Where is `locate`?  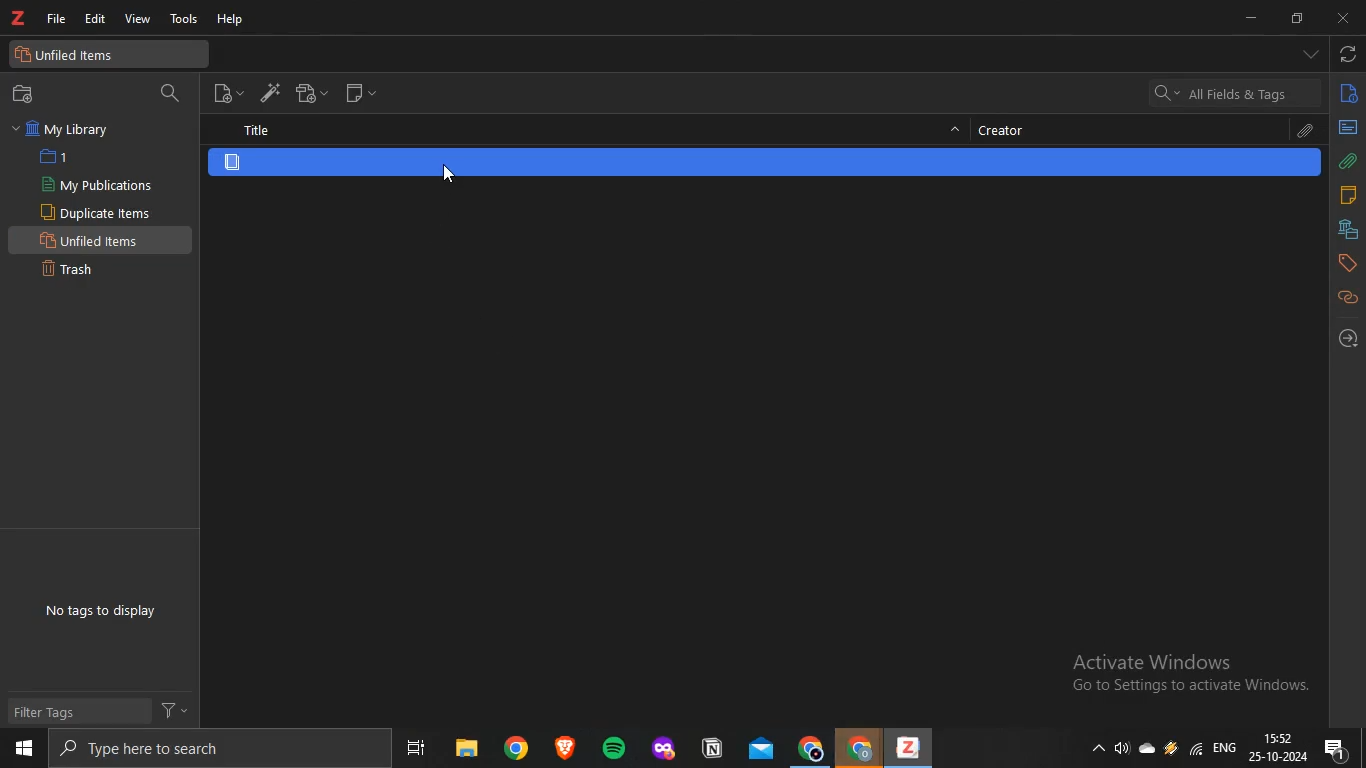 locate is located at coordinates (1347, 338).